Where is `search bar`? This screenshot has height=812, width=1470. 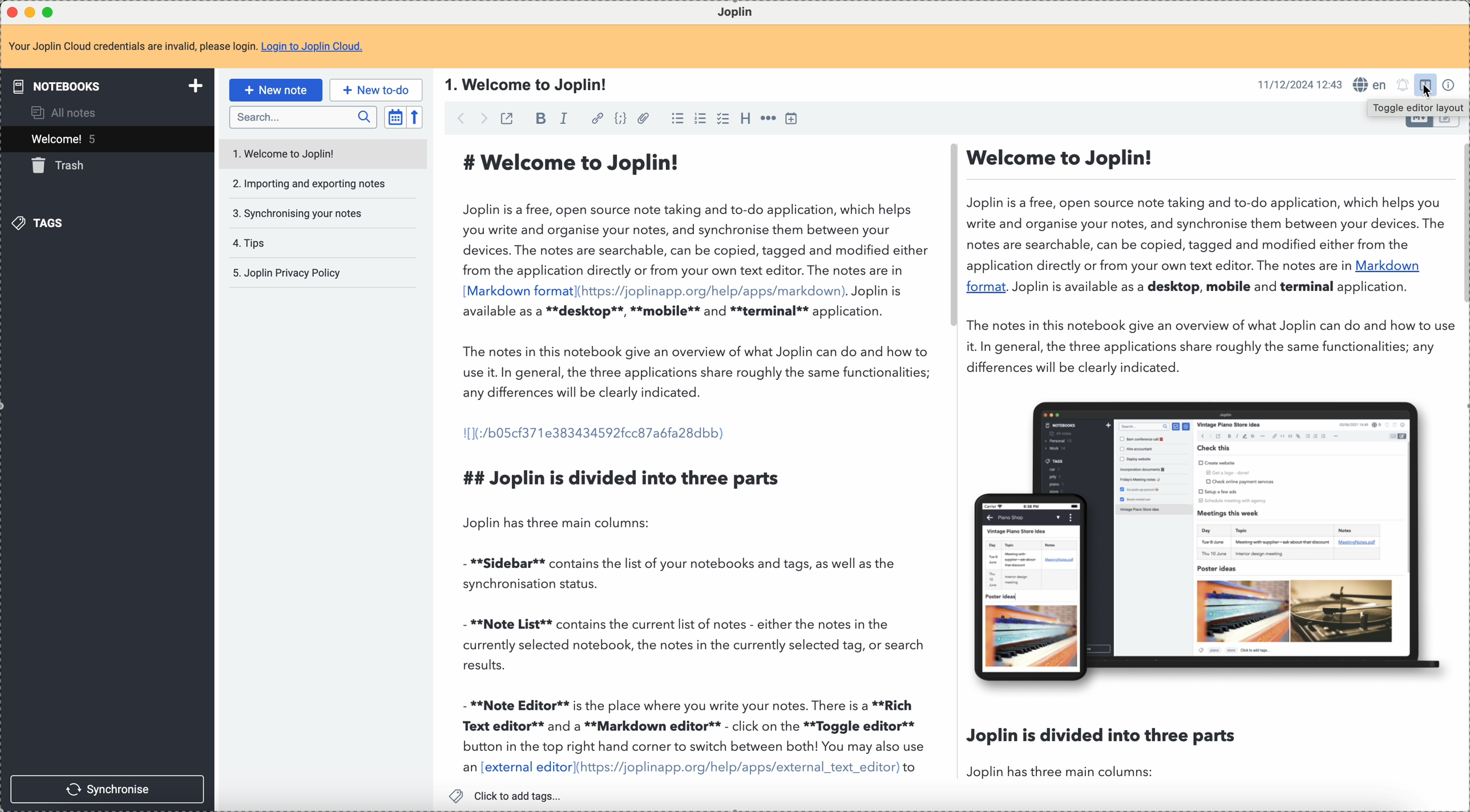
search bar is located at coordinates (302, 118).